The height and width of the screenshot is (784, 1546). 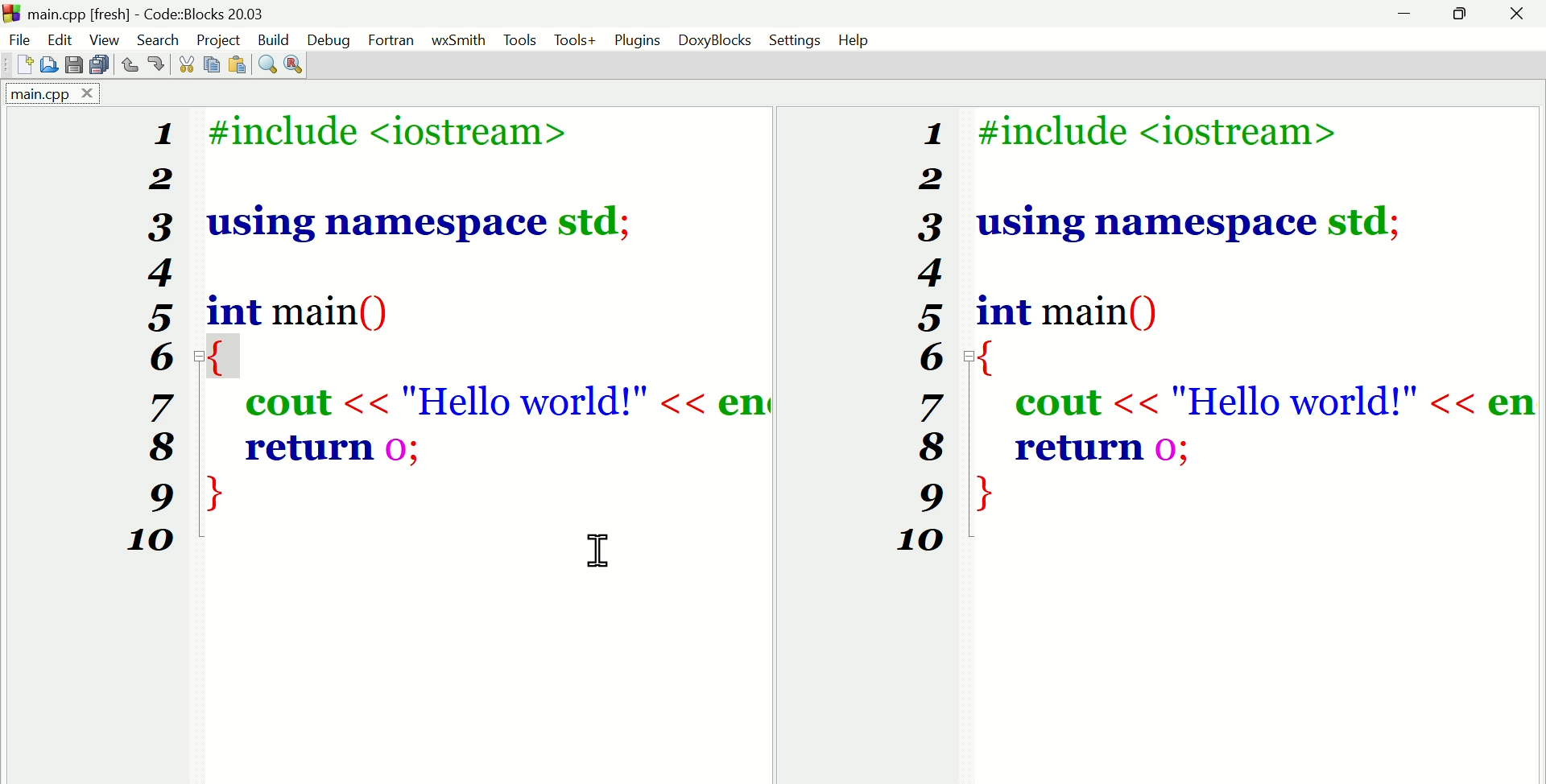 I want to click on Project, so click(x=220, y=39).